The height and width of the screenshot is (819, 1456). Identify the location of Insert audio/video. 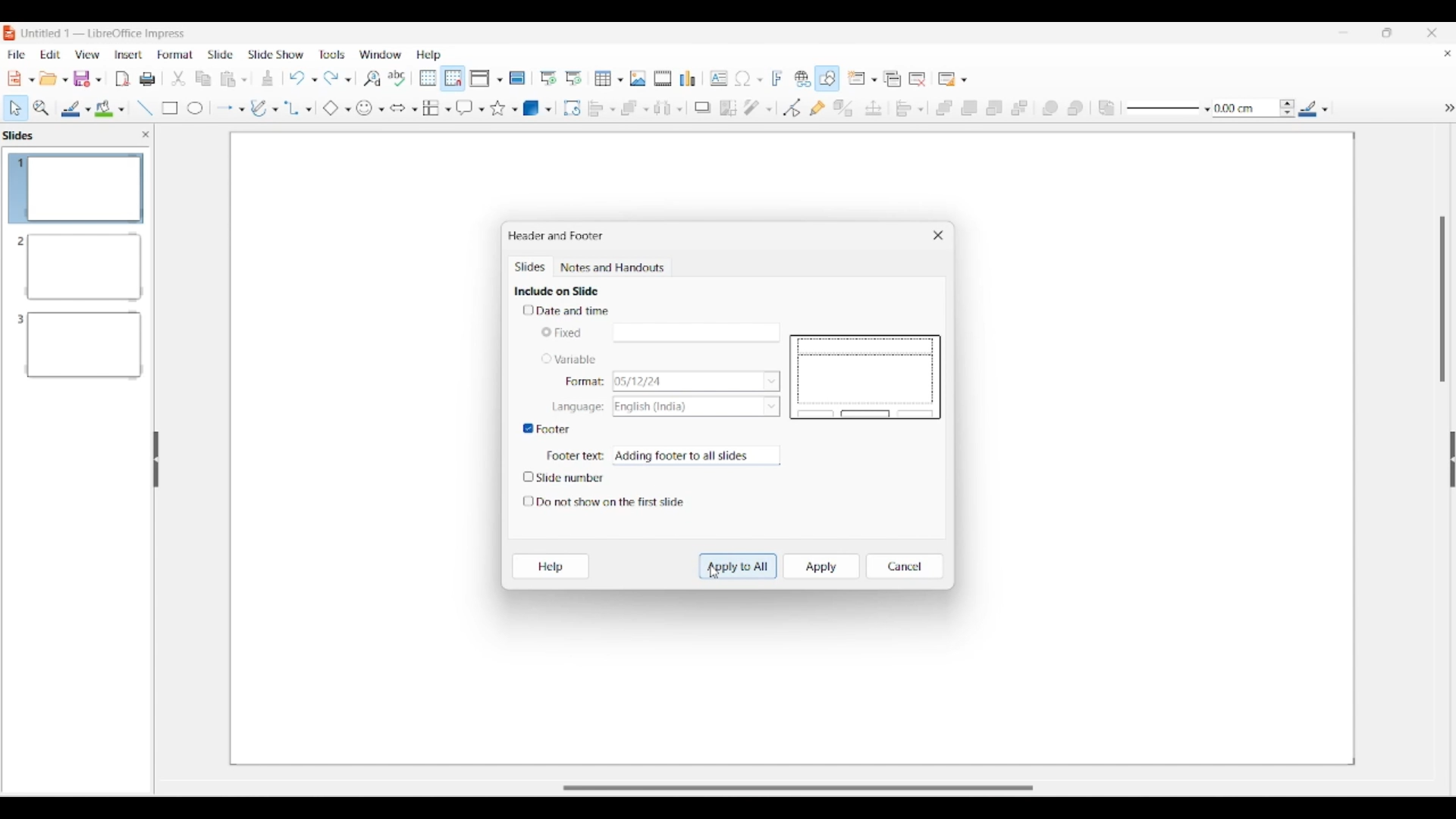
(663, 78).